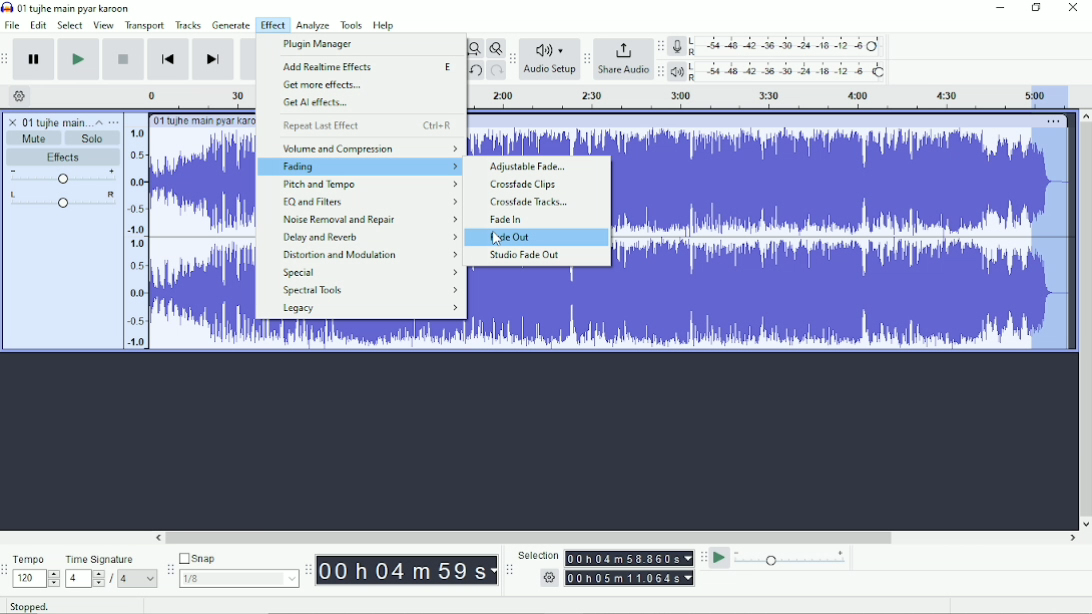  What do you see at coordinates (63, 177) in the screenshot?
I see `Volume` at bounding box center [63, 177].